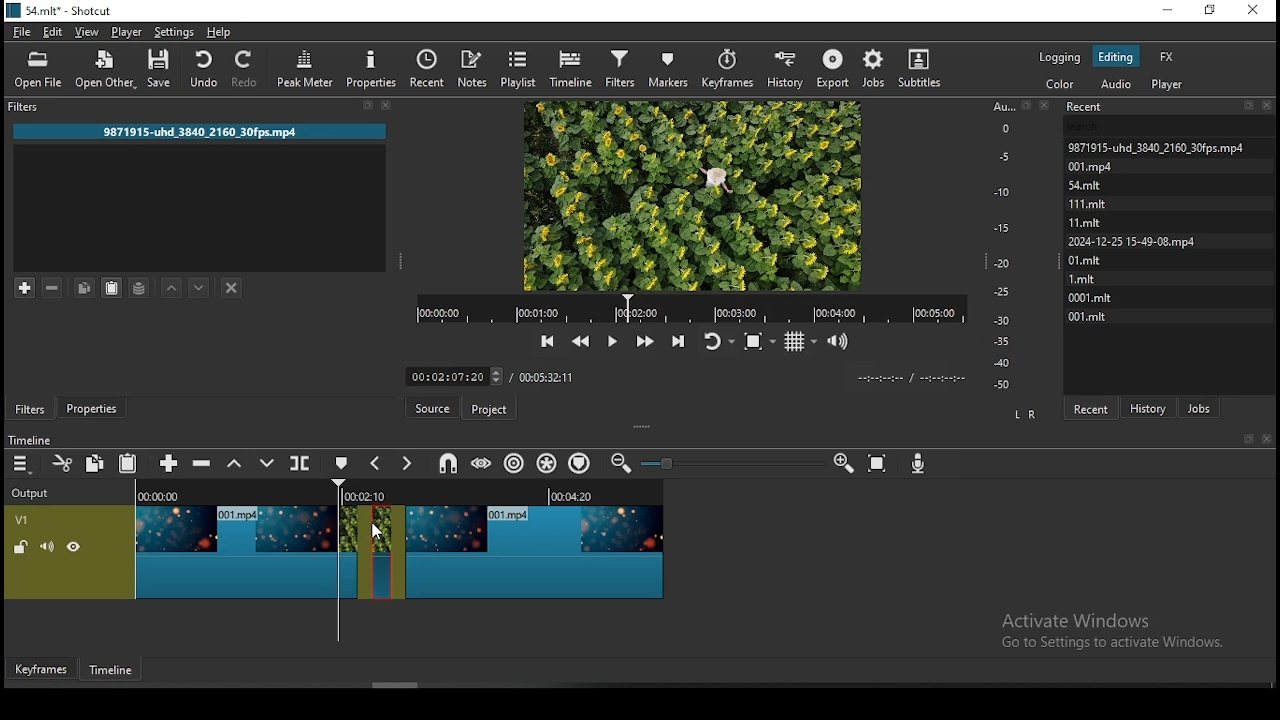 Image resolution: width=1280 pixels, height=720 pixels. I want to click on move filter down, so click(199, 286).